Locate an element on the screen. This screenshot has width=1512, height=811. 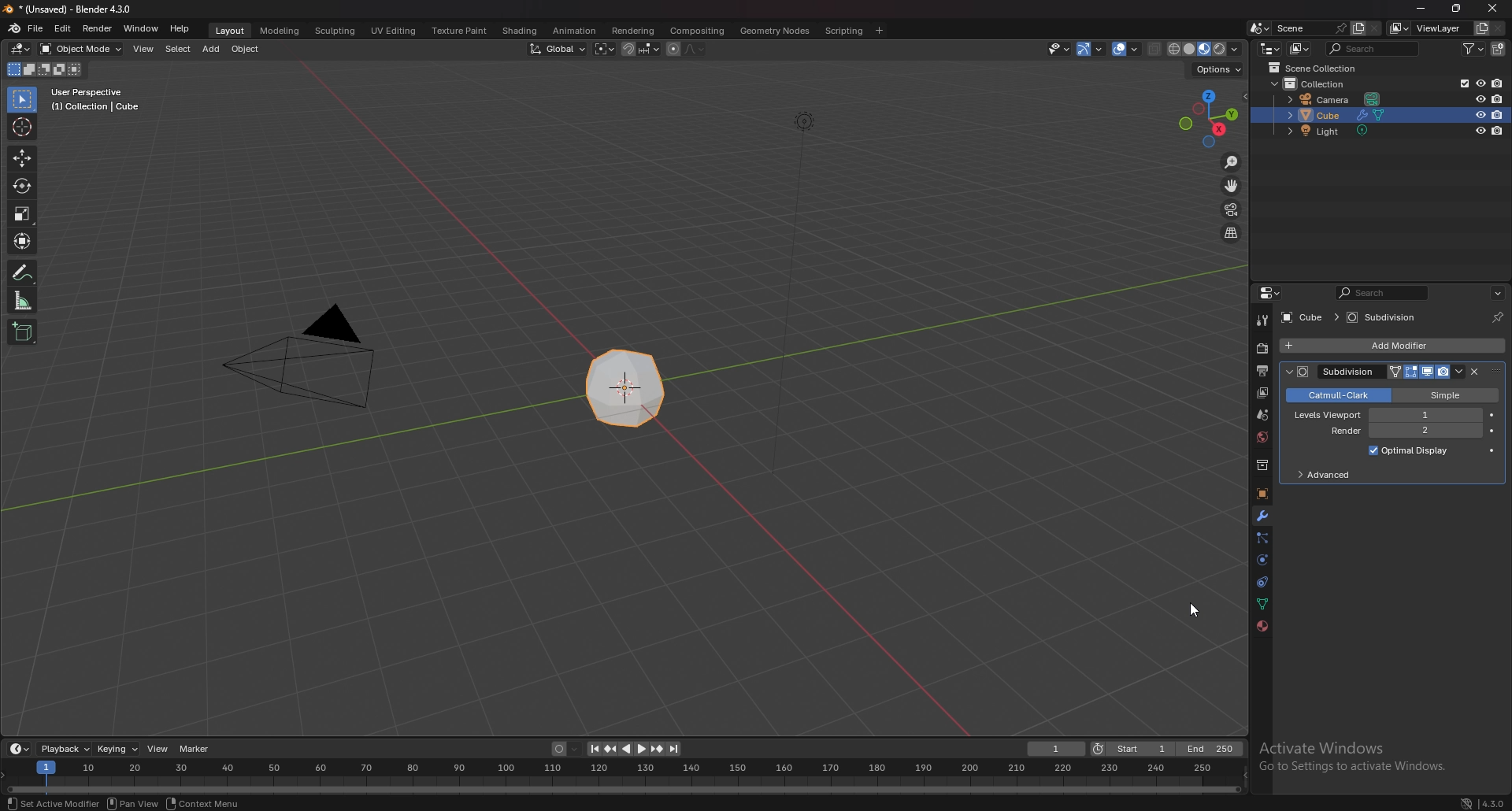
title is located at coordinates (68, 9).